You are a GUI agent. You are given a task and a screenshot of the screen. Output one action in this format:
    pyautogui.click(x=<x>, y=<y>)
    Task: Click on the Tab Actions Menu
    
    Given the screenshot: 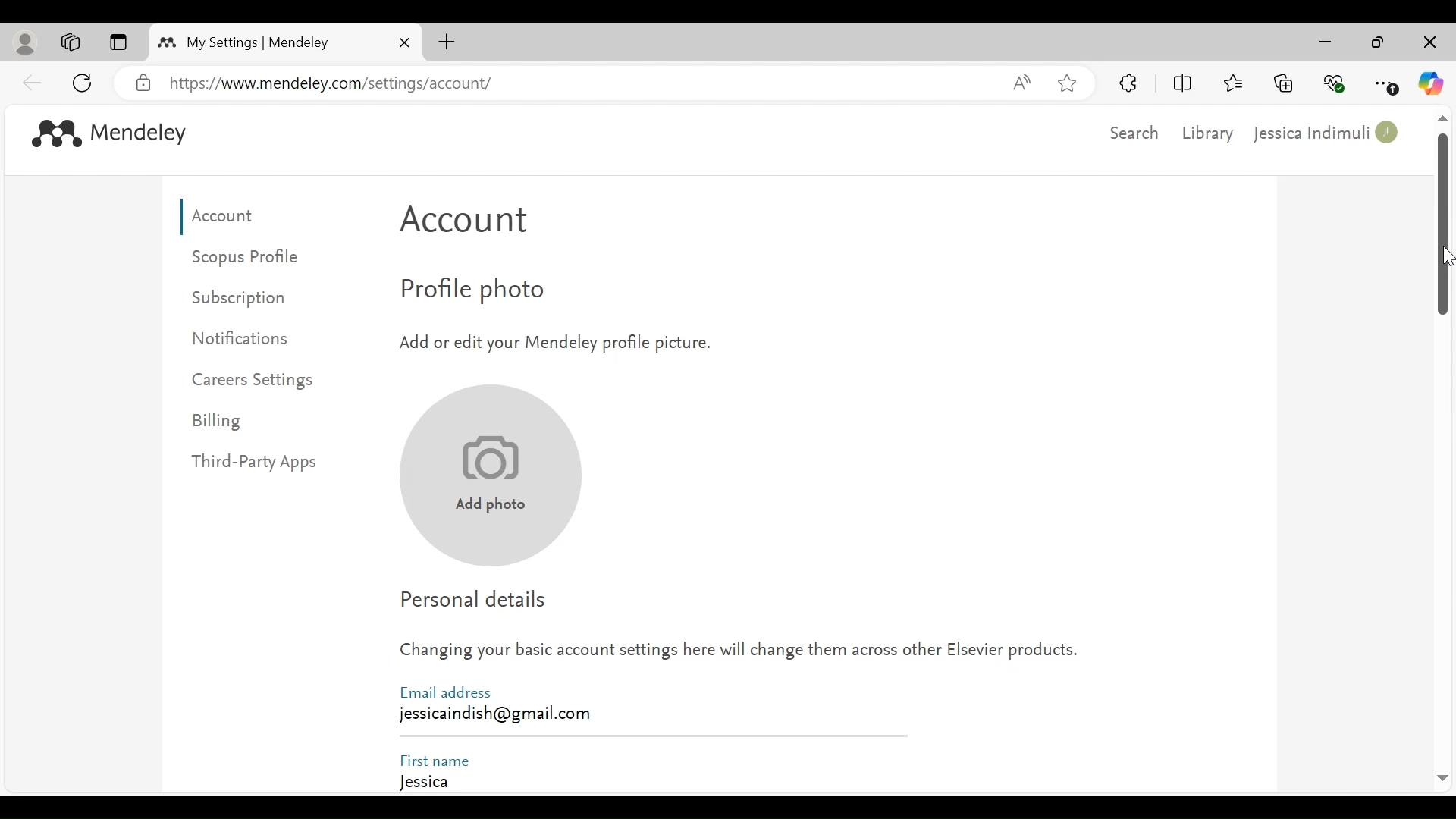 What is the action you would take?
    pyautogui.click(x=118, y=43)
    